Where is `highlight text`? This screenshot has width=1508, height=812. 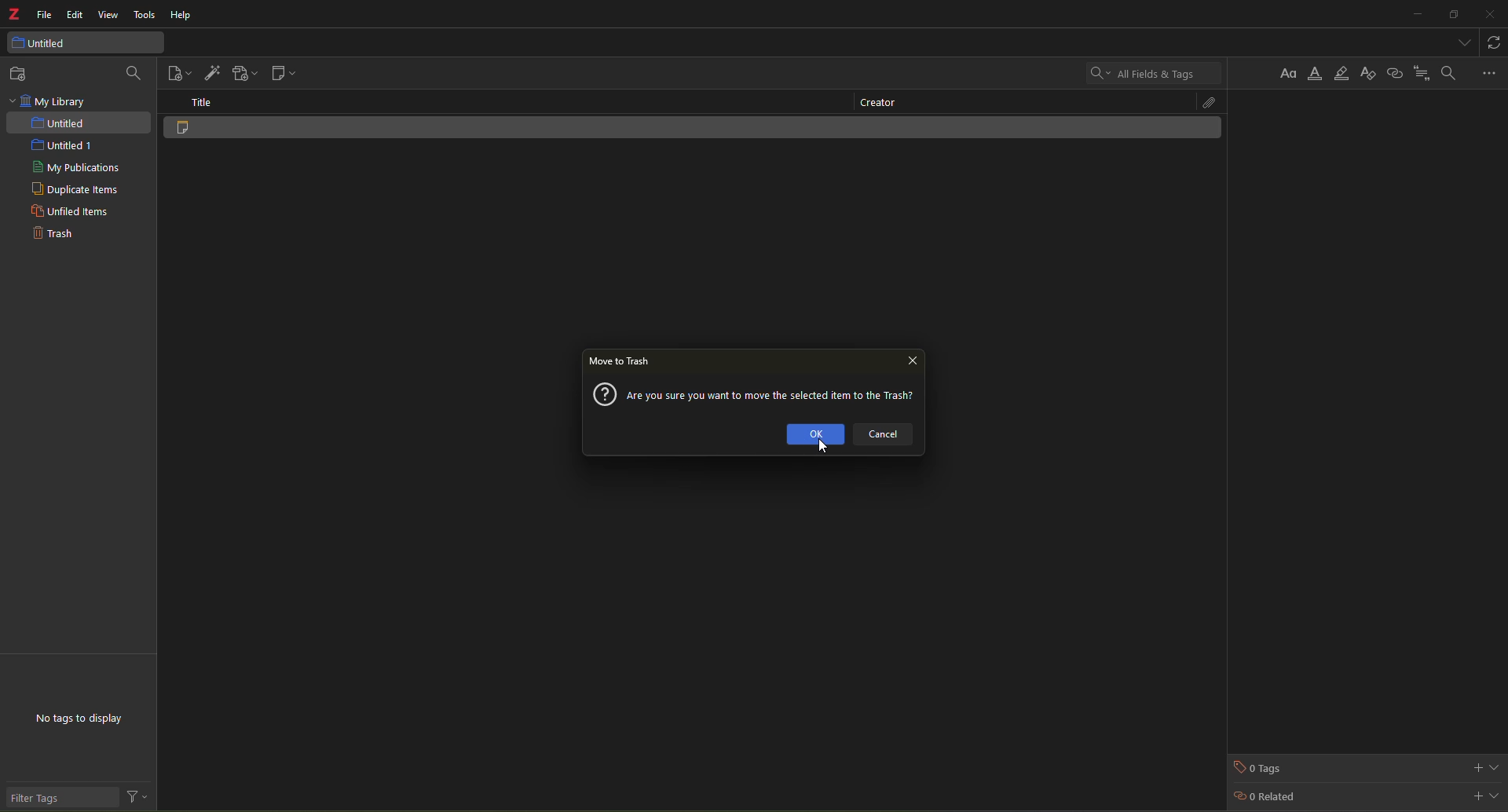 highlight text is located at coordinates (1341, 75).